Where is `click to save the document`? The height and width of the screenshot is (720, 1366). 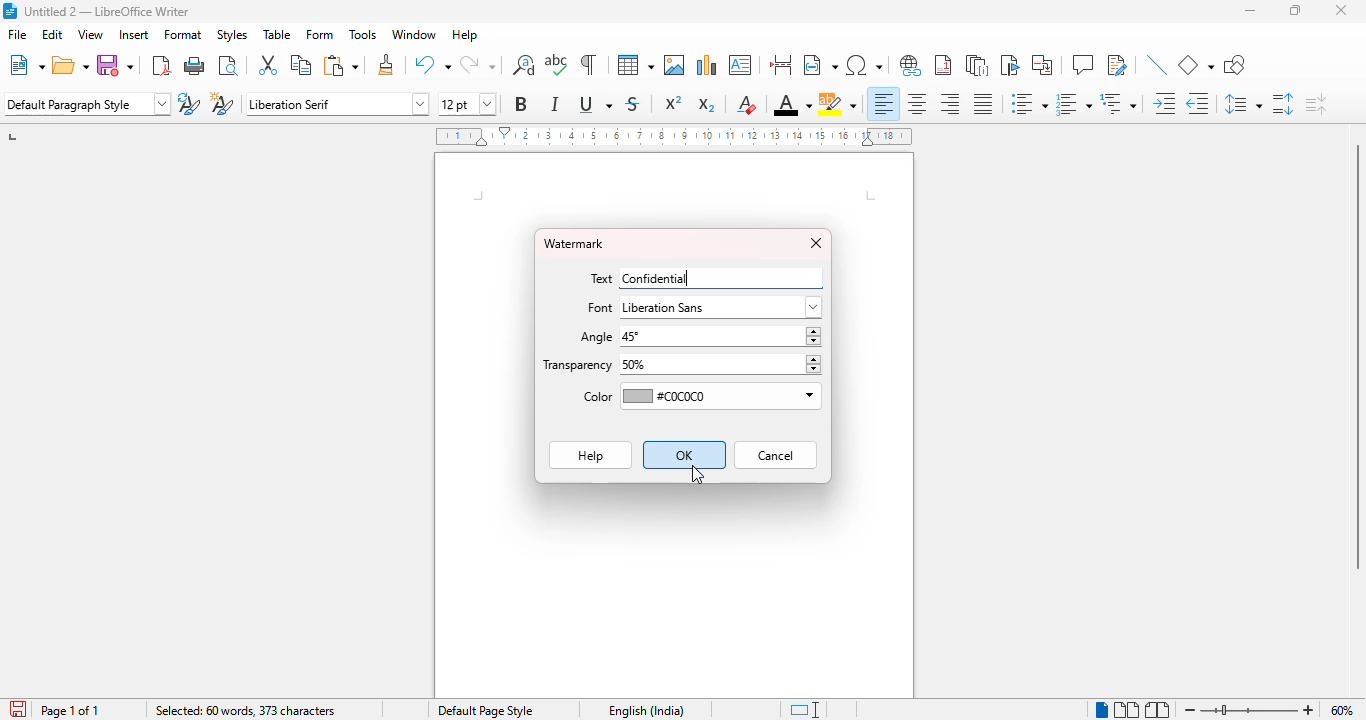
click to save the document is located at coordinates (18, 709).